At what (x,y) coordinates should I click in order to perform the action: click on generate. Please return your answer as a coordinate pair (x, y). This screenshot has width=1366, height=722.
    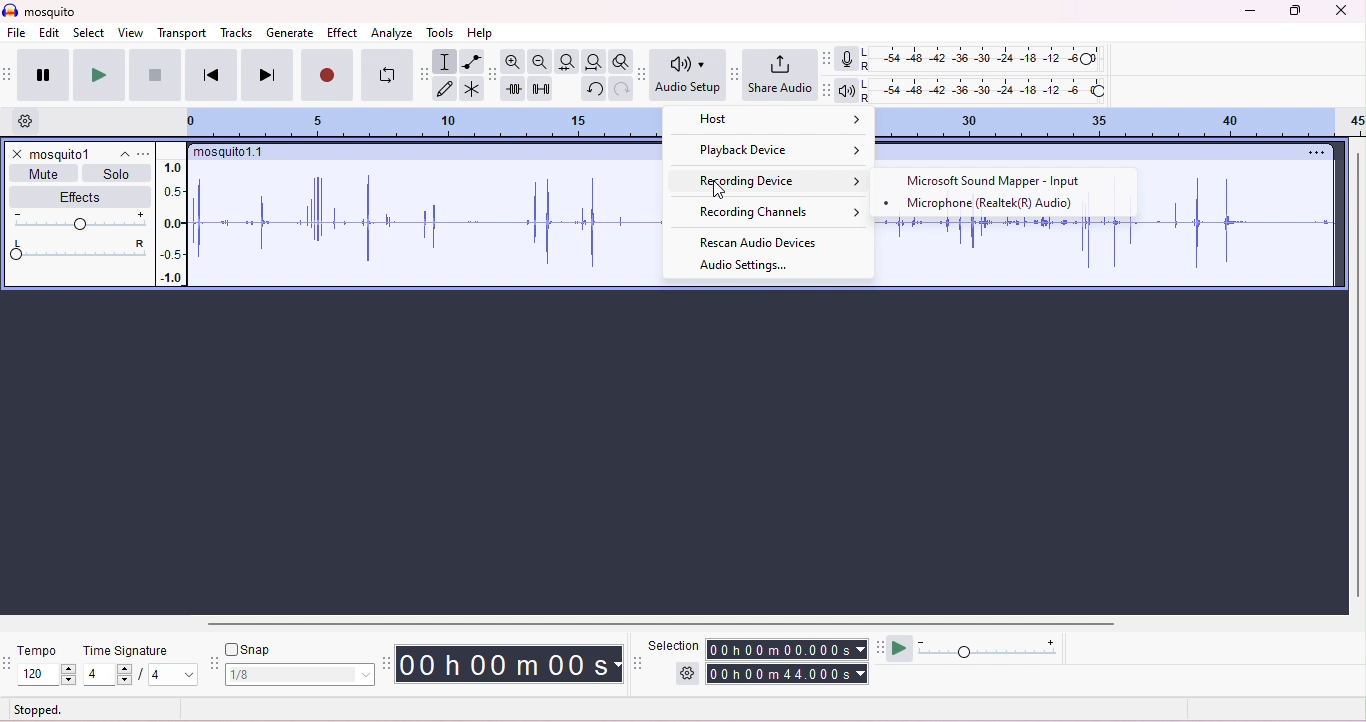
    Looking at the image, I should click on (291, 34).